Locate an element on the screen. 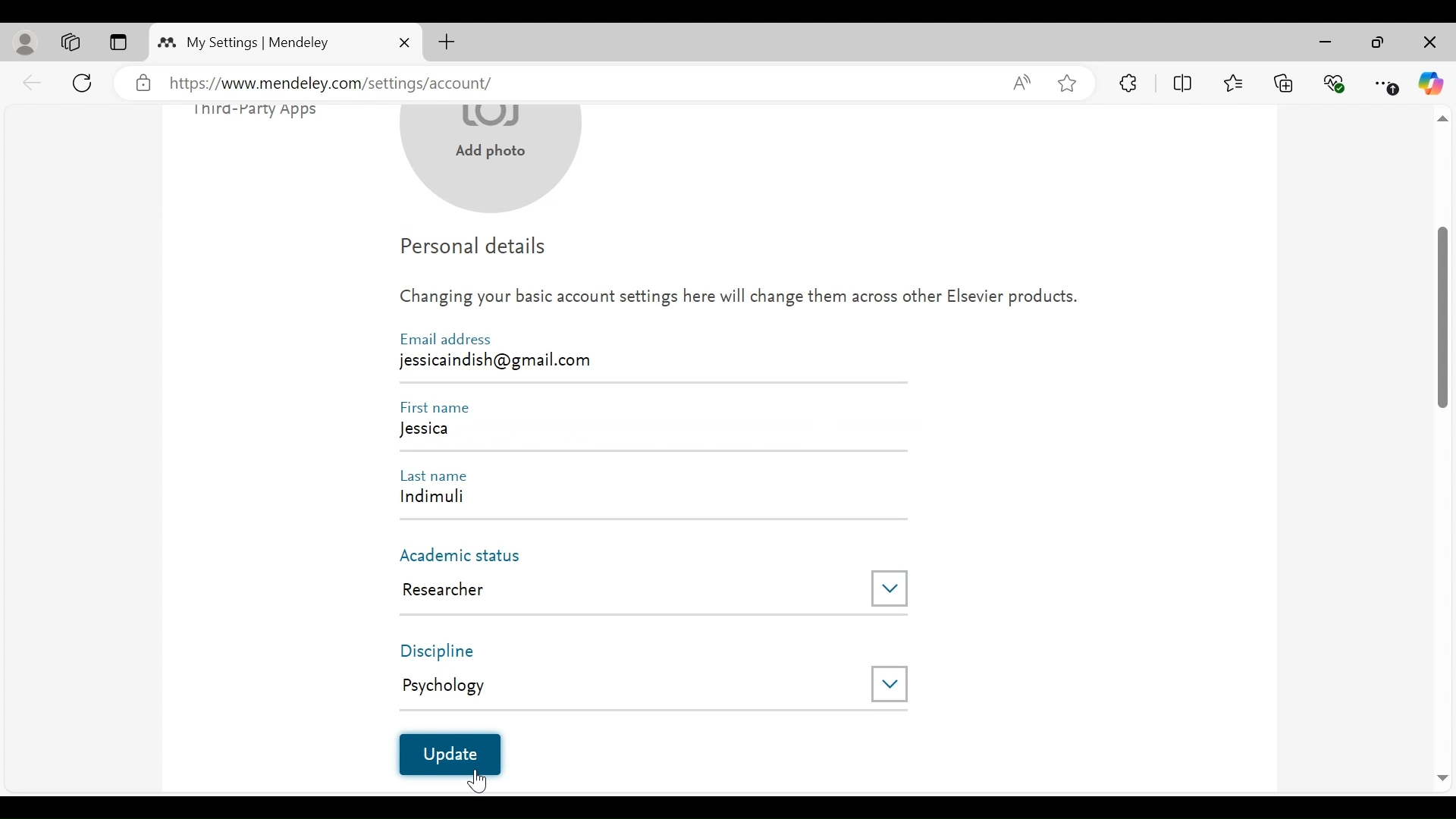 The height and width of the screenshot is (819, 1456). Update is located at coordinates (448, 755).